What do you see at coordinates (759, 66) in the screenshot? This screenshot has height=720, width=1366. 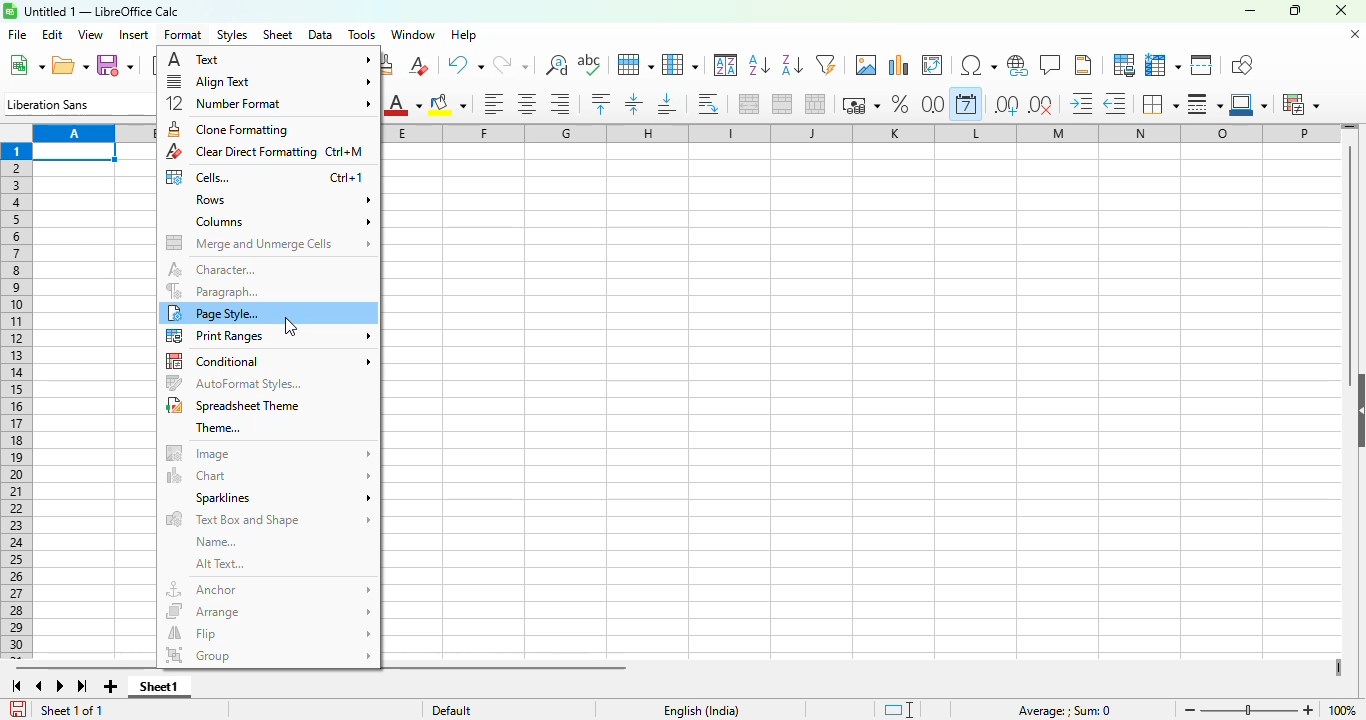 I see `sort ascending` at bounding box center [759, 66].